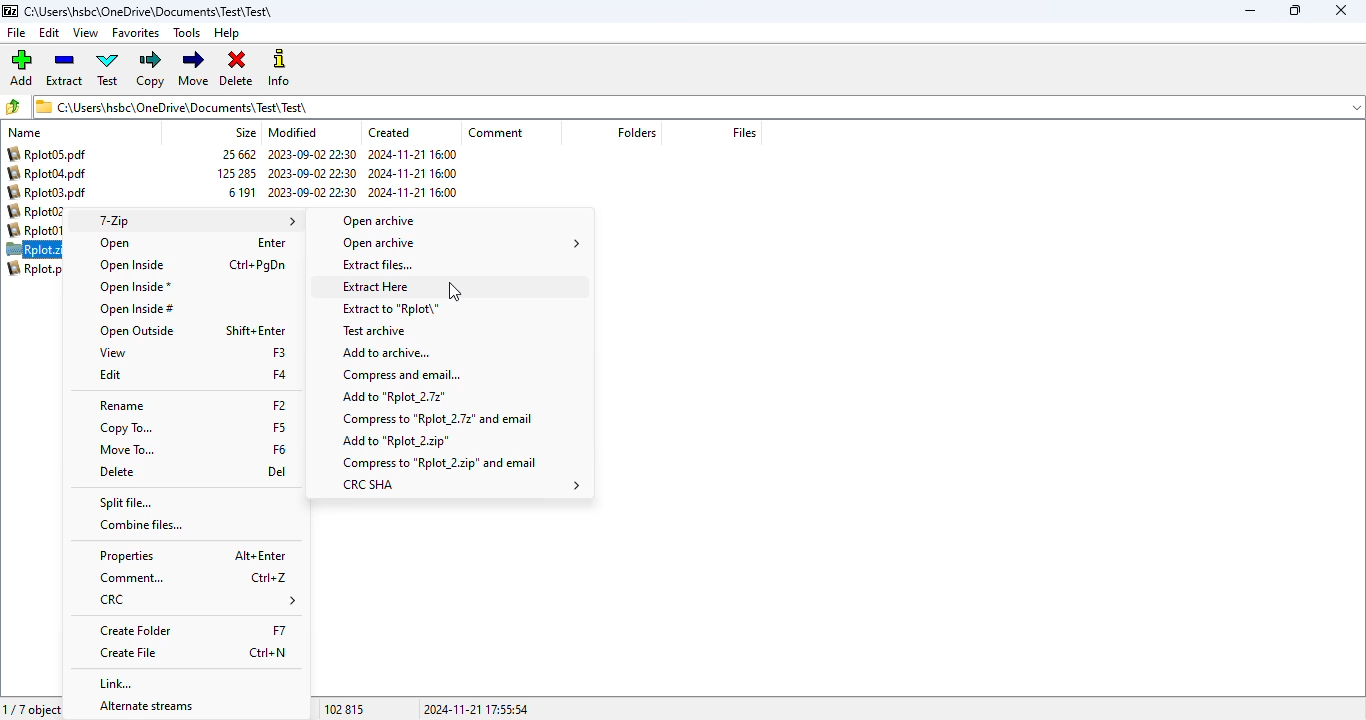 This screenshot has height=720, width=1366. Describe the element at coordinates (85, 32) in the screenshot. I see `view` at that location.